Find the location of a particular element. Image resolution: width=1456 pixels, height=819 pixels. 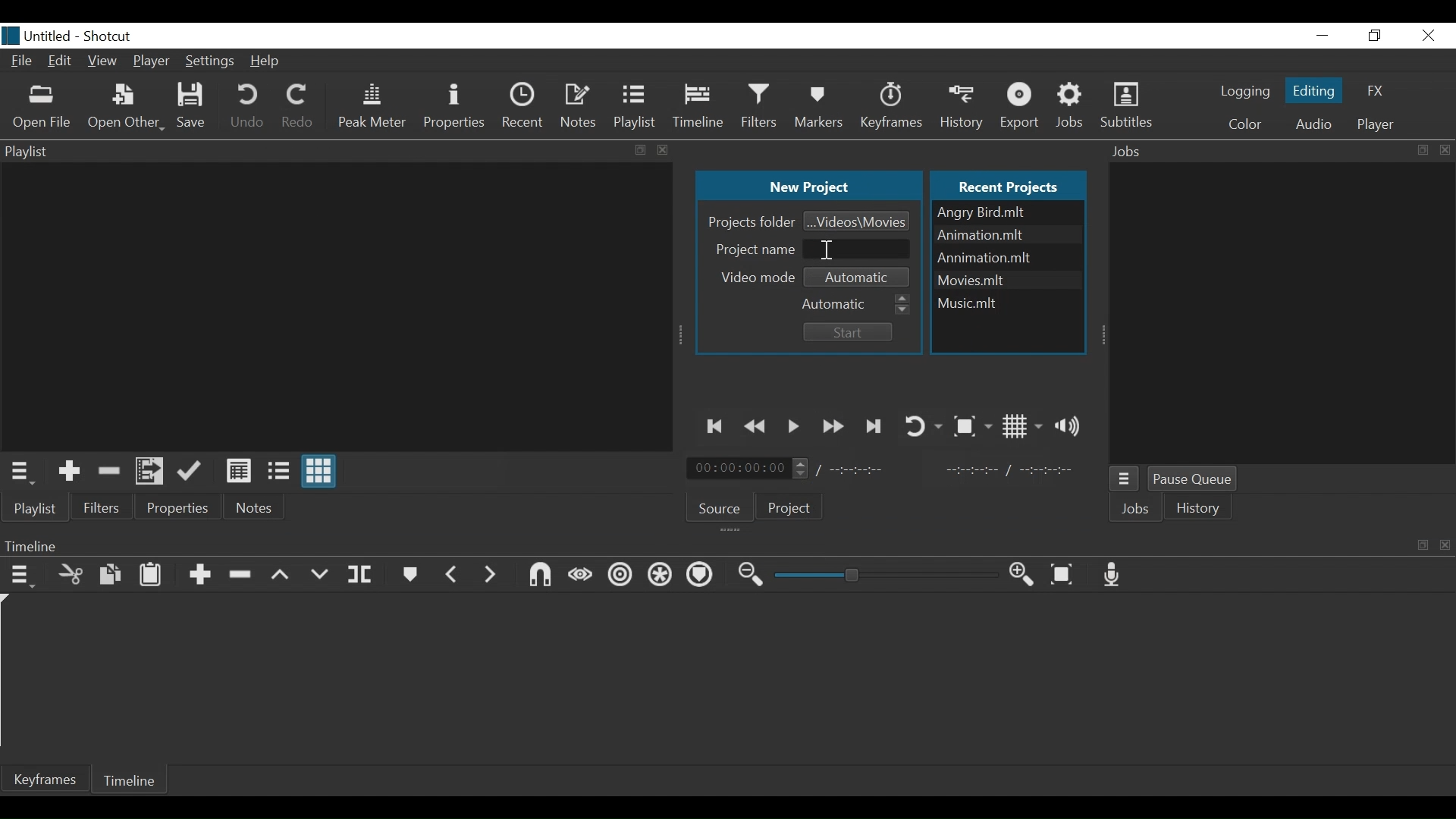

Cut is located at coordinates (71, 573).